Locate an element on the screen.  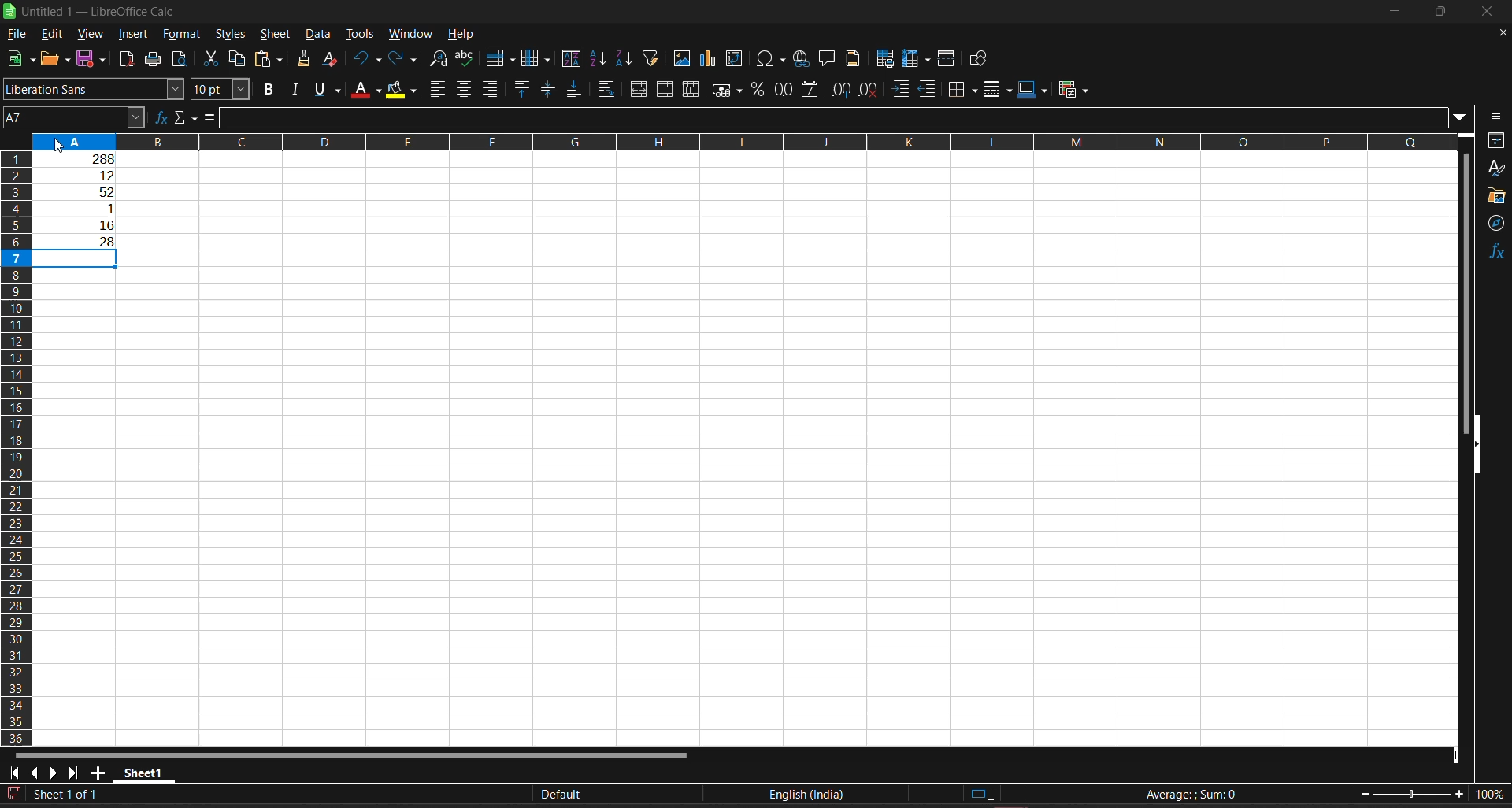
scroll to first sheet is located at coordinates (13, 770).